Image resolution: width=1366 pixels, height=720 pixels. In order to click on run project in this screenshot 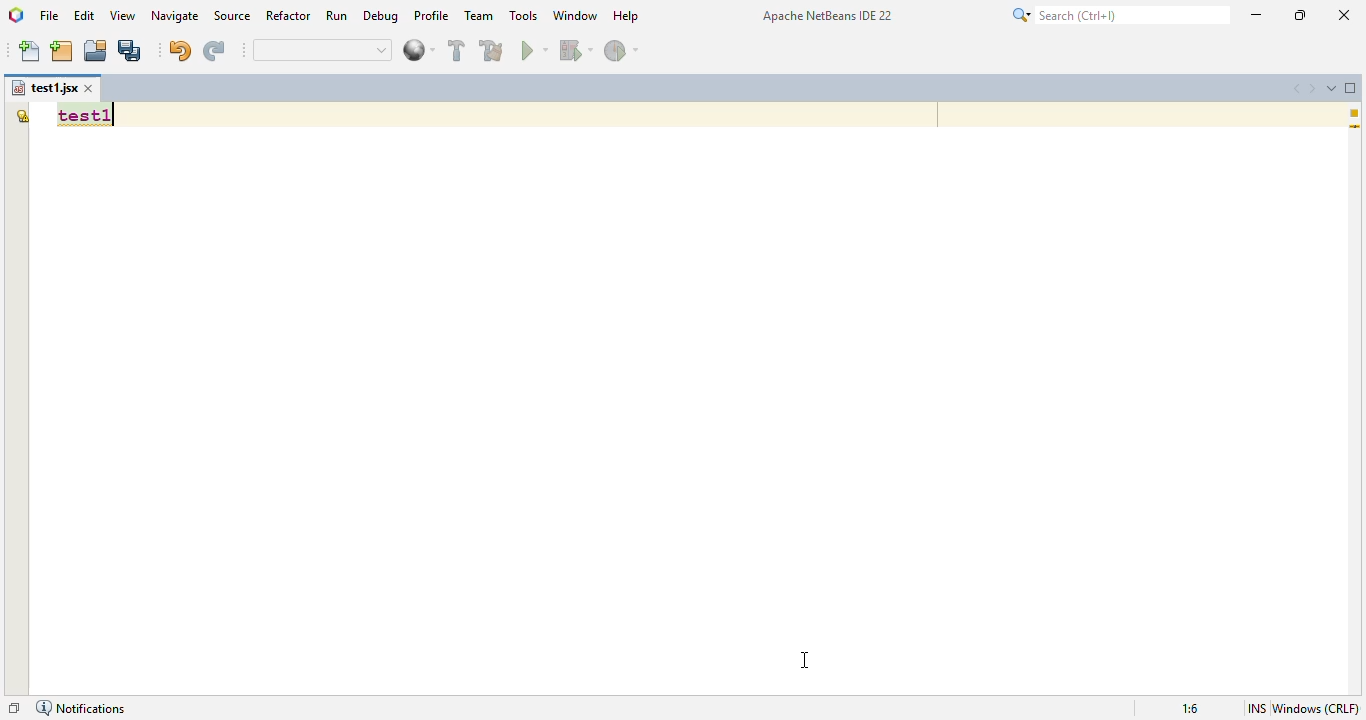, I will do `click(531, 51)`.